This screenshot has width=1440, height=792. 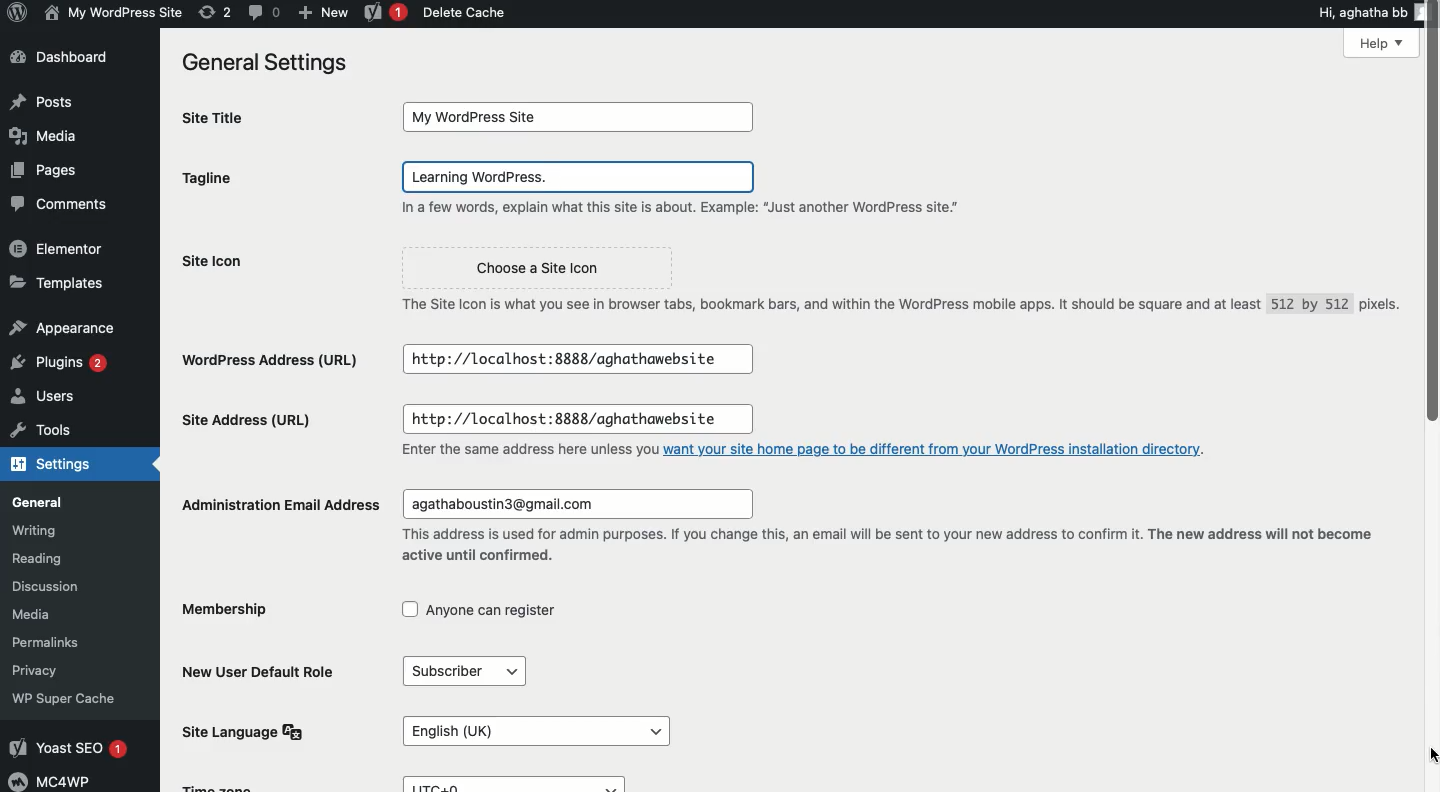 I want to click on The Site Icon is what you see in browser tabs, bookmark bars, and within the WordPress mobile apps. It should be square and at least 512 by 512 pixels., so click(x=892, y=303).